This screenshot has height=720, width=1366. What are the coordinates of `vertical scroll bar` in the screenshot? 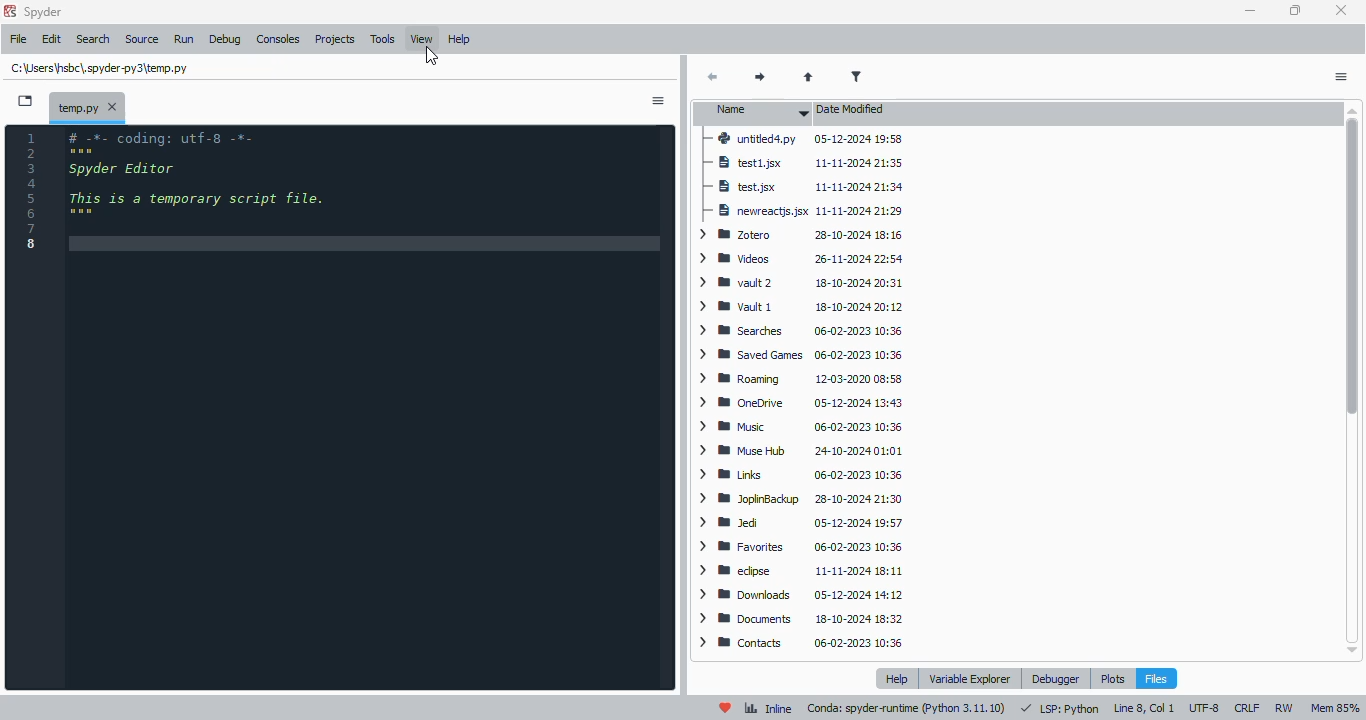 It's located at (1353, 265).